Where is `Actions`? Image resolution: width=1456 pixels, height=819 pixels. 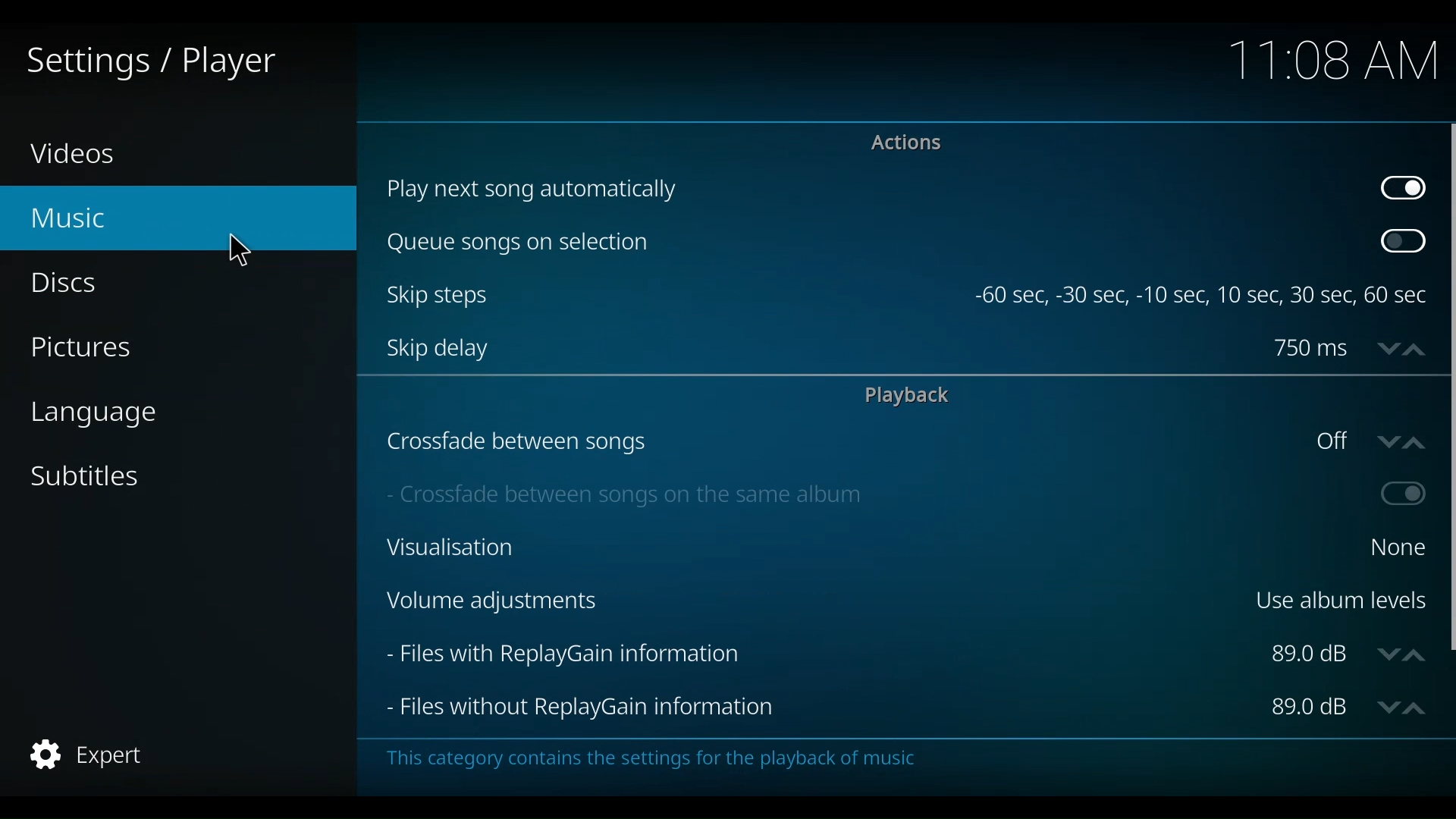 Actions is located at coordinates (902, 143).